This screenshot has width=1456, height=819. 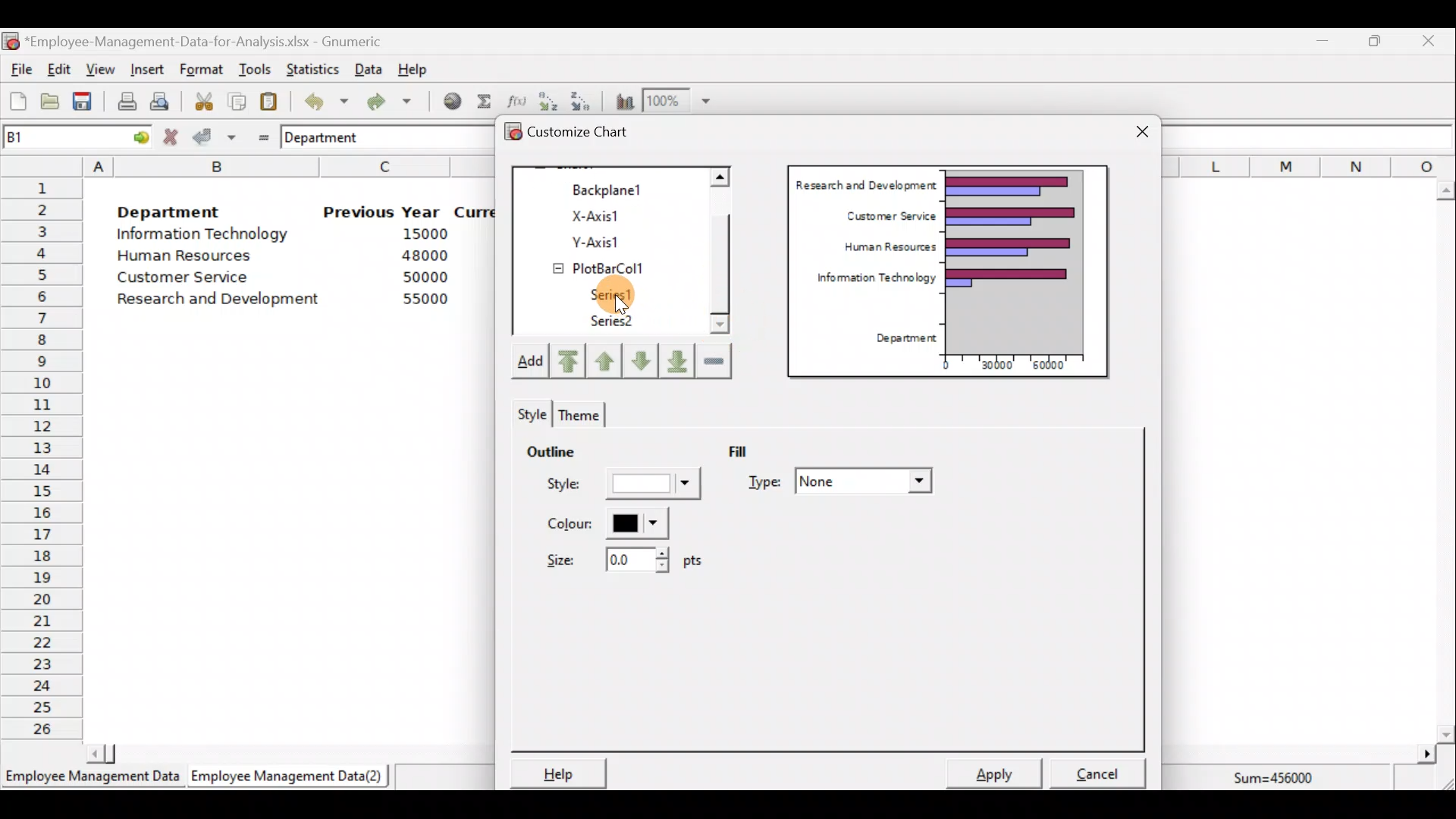 What do you see at coordinates (576, 415) in the screenshot?
I see `Theme` at bounding box center [576, 415].